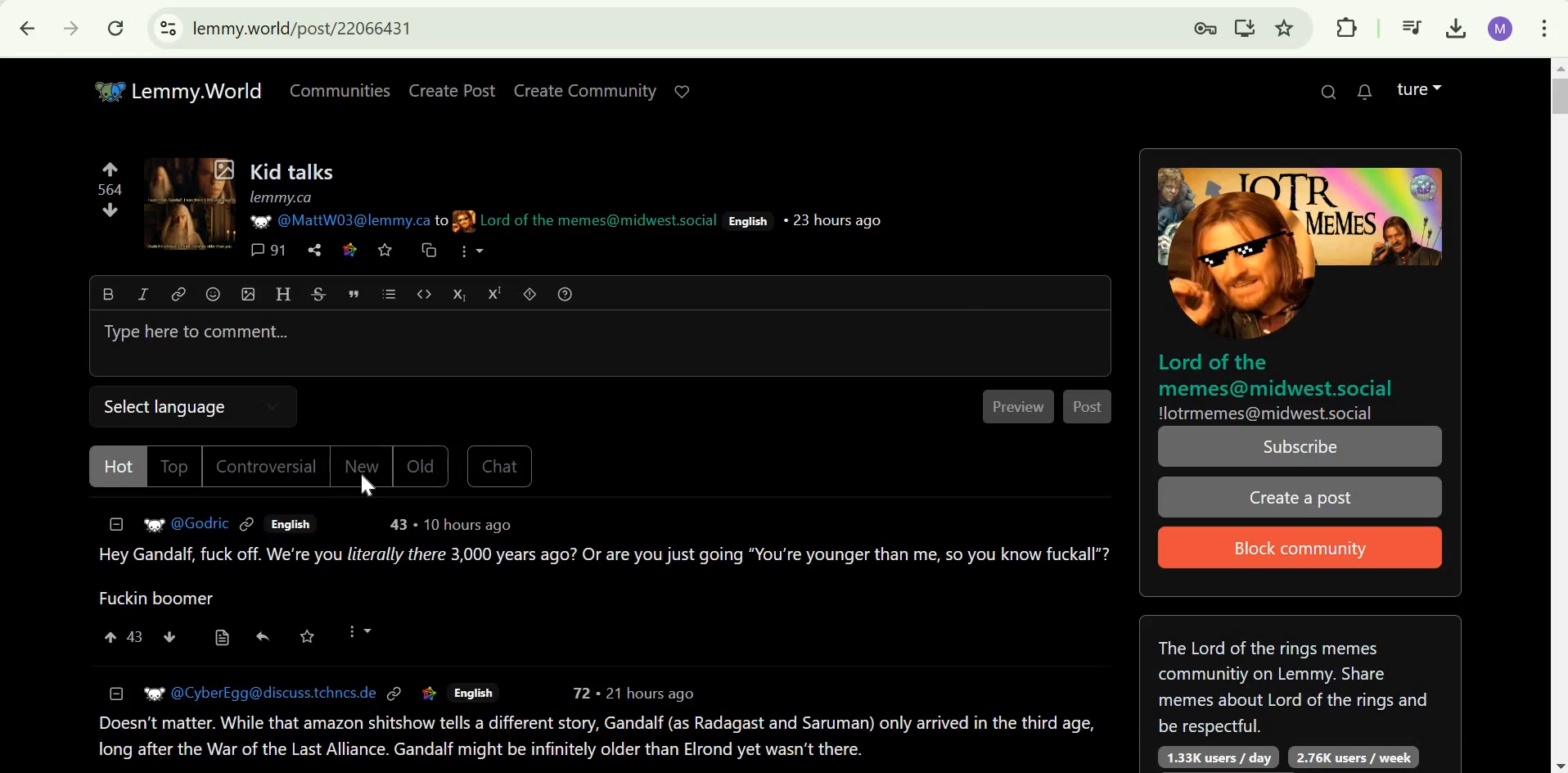 The image size is (1568, 773). Describe the element at coordinates (471, 692) in the screenshot. I see `english` at that location.